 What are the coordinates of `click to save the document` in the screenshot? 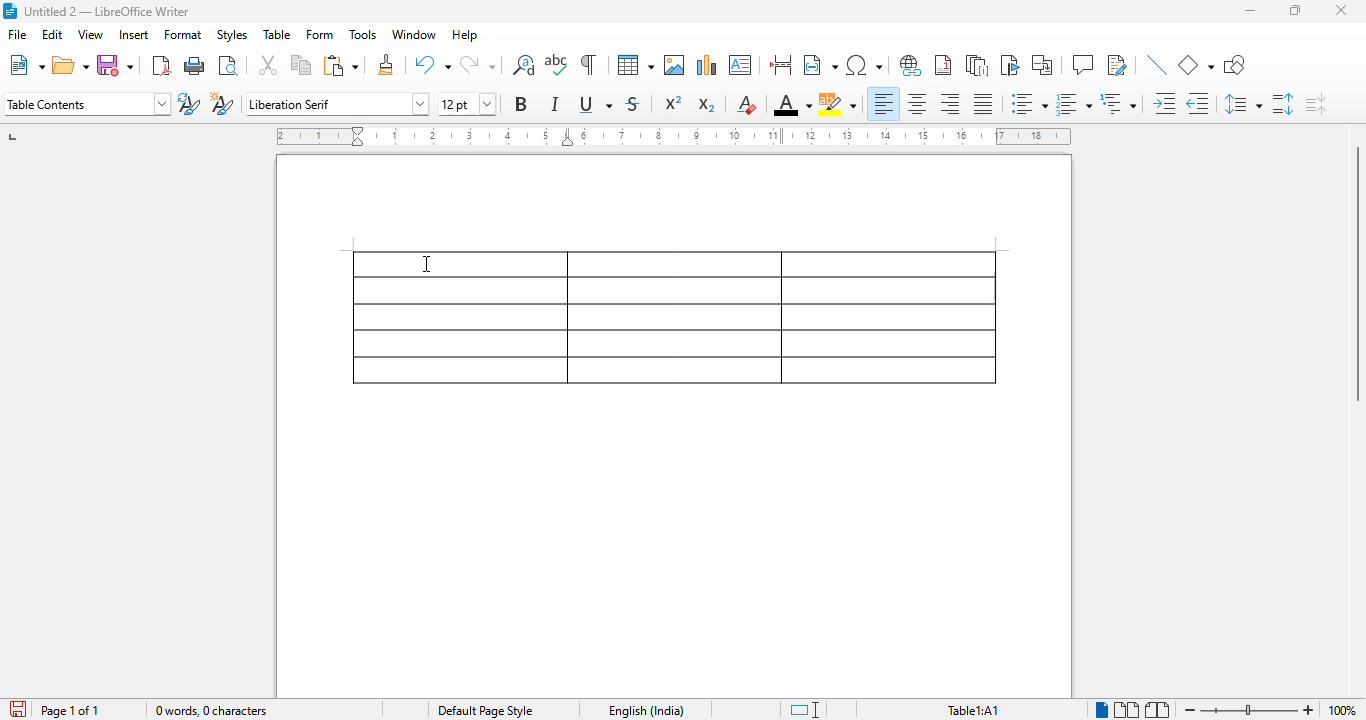 It's located at (19, 709).